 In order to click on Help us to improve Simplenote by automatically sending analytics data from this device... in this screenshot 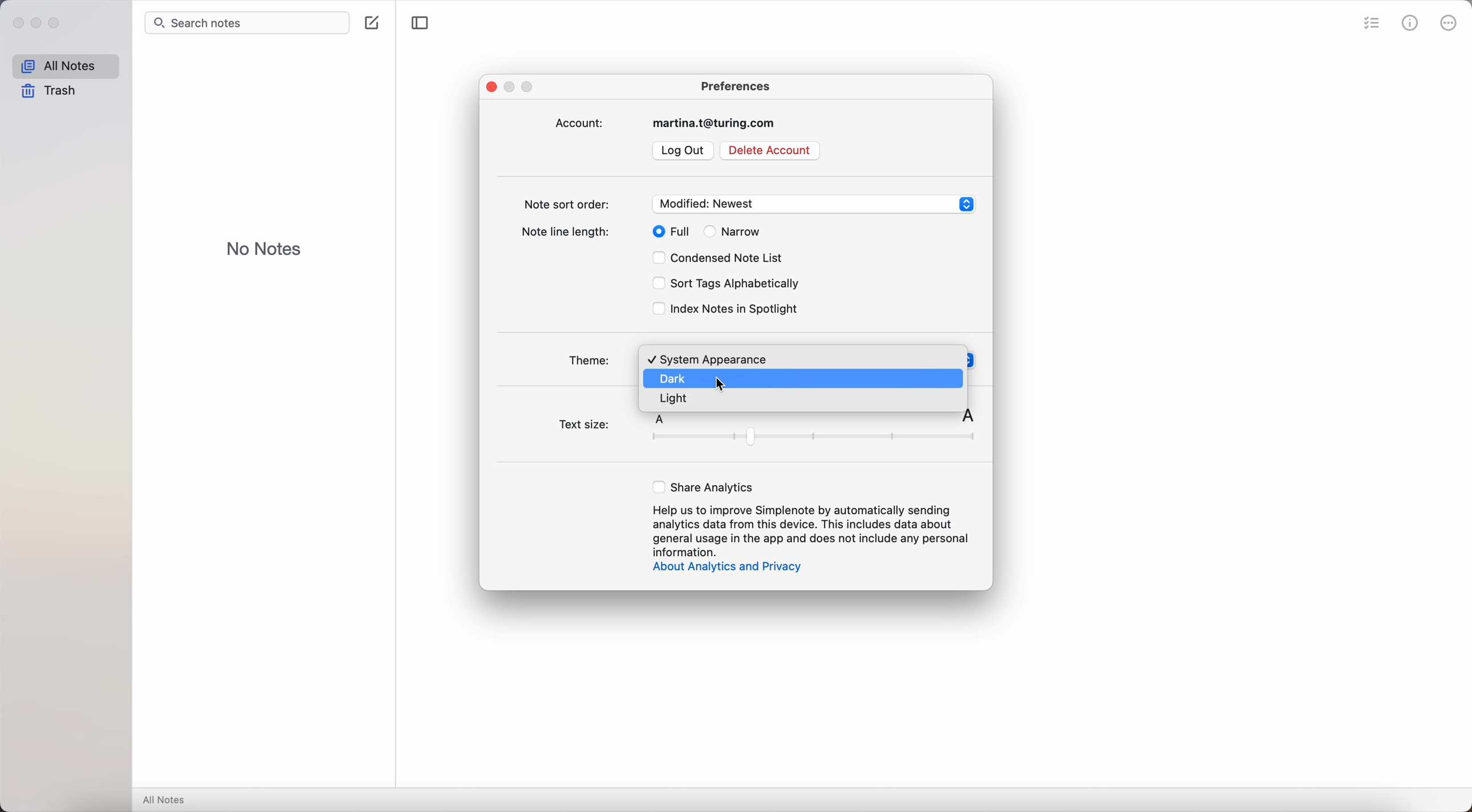, I will do `click(811, 530)`.